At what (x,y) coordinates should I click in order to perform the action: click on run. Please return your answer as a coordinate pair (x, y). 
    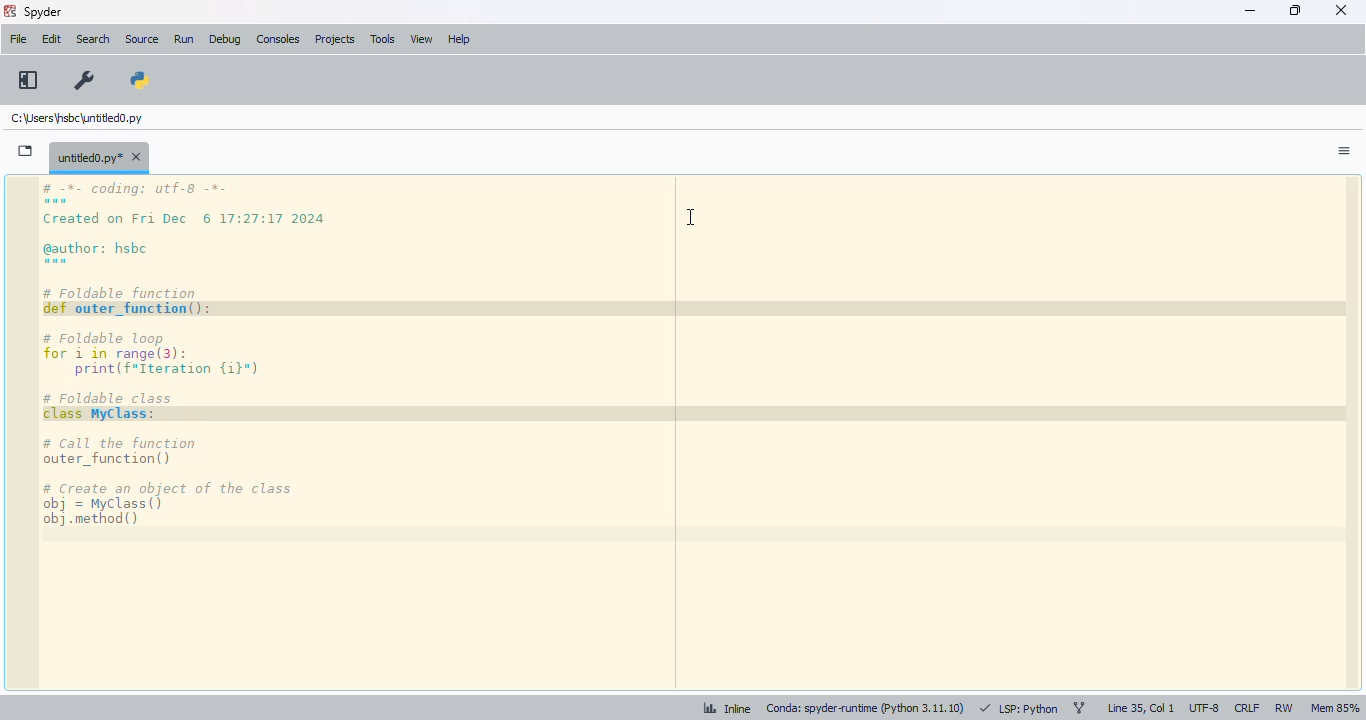
    Looking at the image, I should click on (184, 39).